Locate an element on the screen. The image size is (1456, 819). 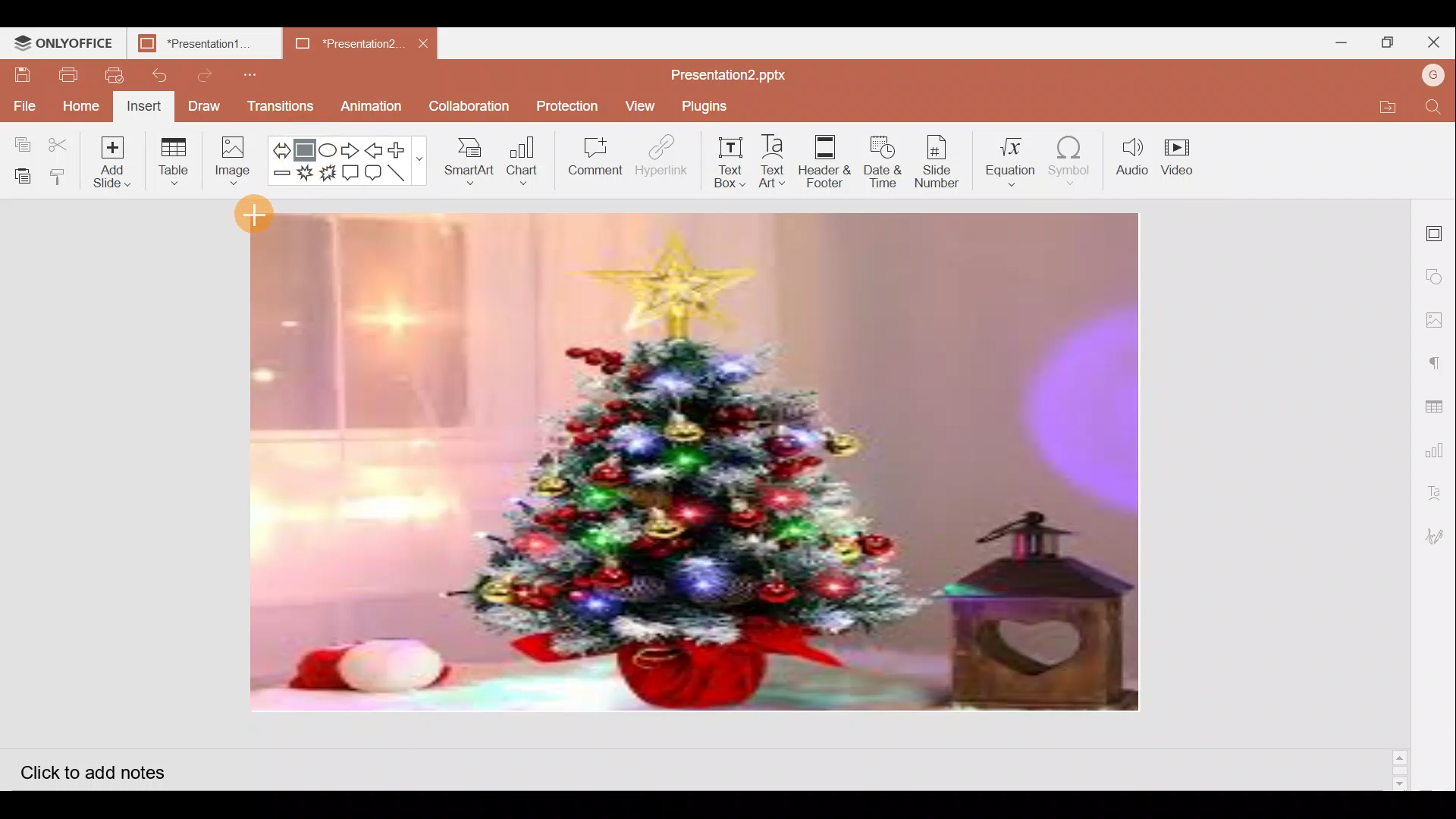
Presentation2. is located at coordinates (337, 44).